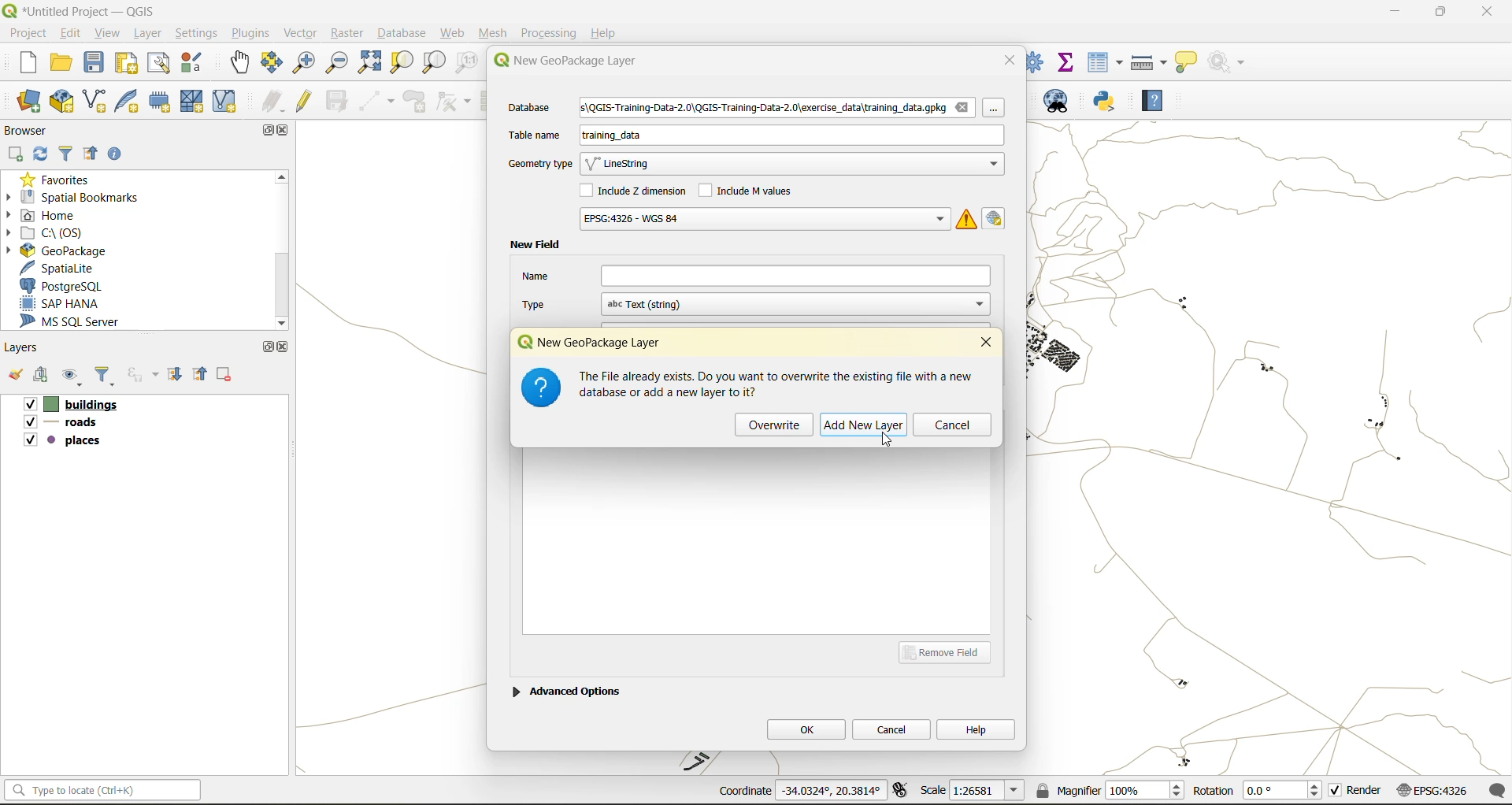 The height and width of the screenshot is (805, 1512). Describe the element at coordinates (779, 384) in the screenshot. I see `The File already exists. Do you want to overwrite the existing file with a new
database or add a new layer to it?` at that location.